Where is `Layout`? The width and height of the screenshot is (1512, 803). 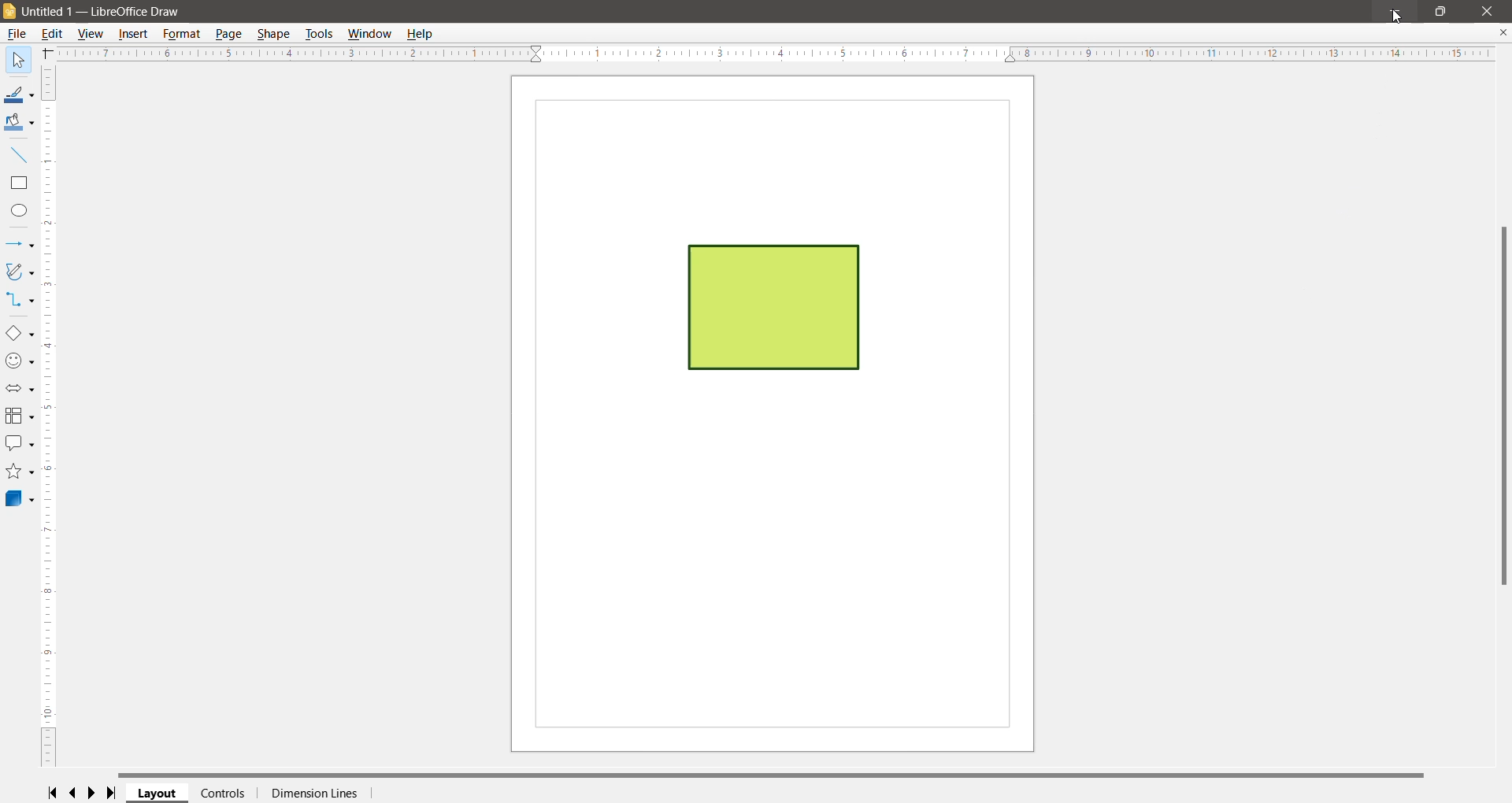 Layout is located at coordinates (158, 794).